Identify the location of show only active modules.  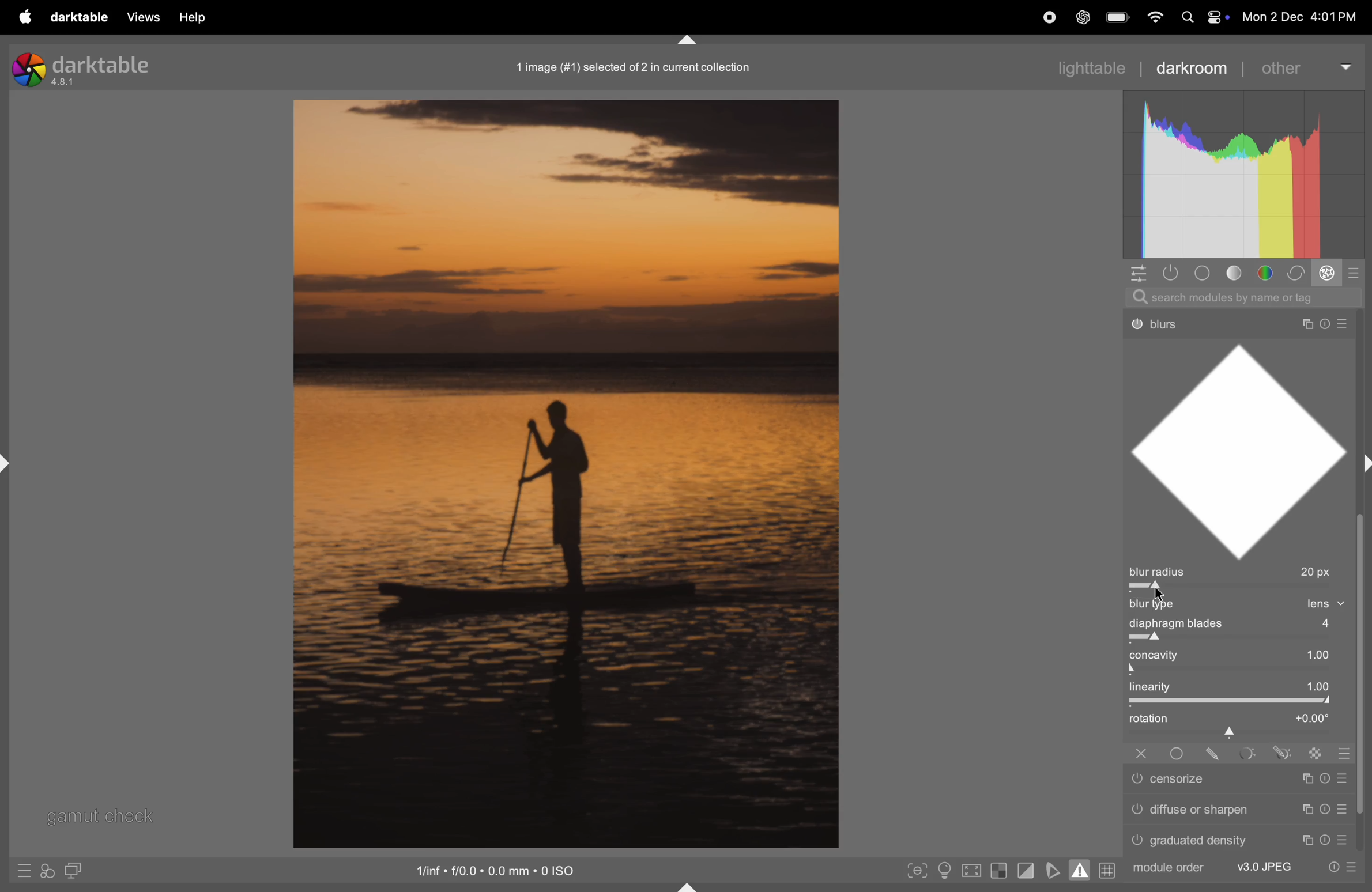
(1170, 273).